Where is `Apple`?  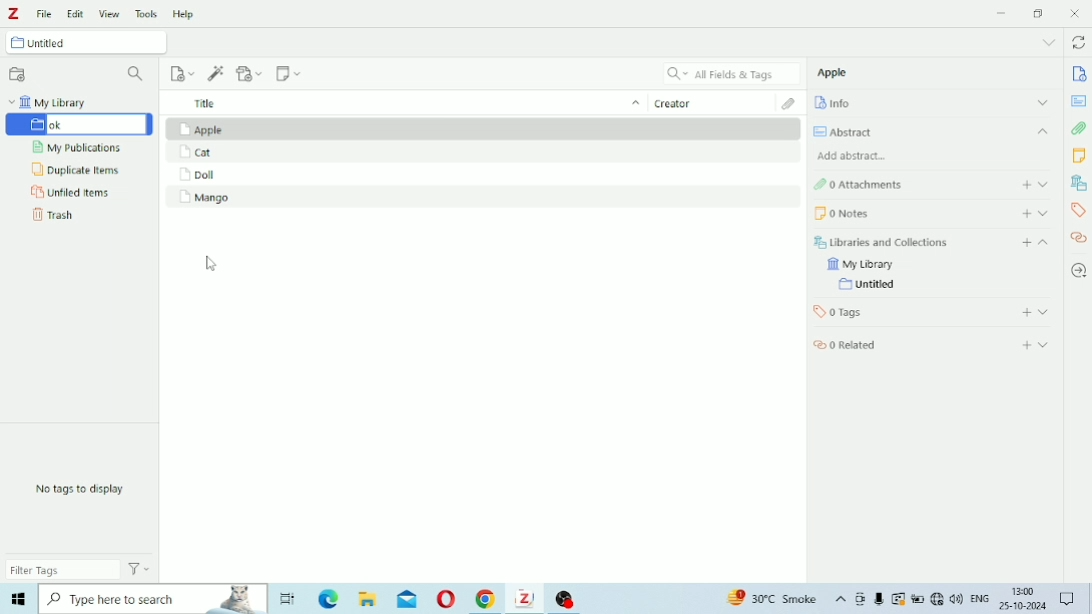 Apple is located at coordinates (207, 129).